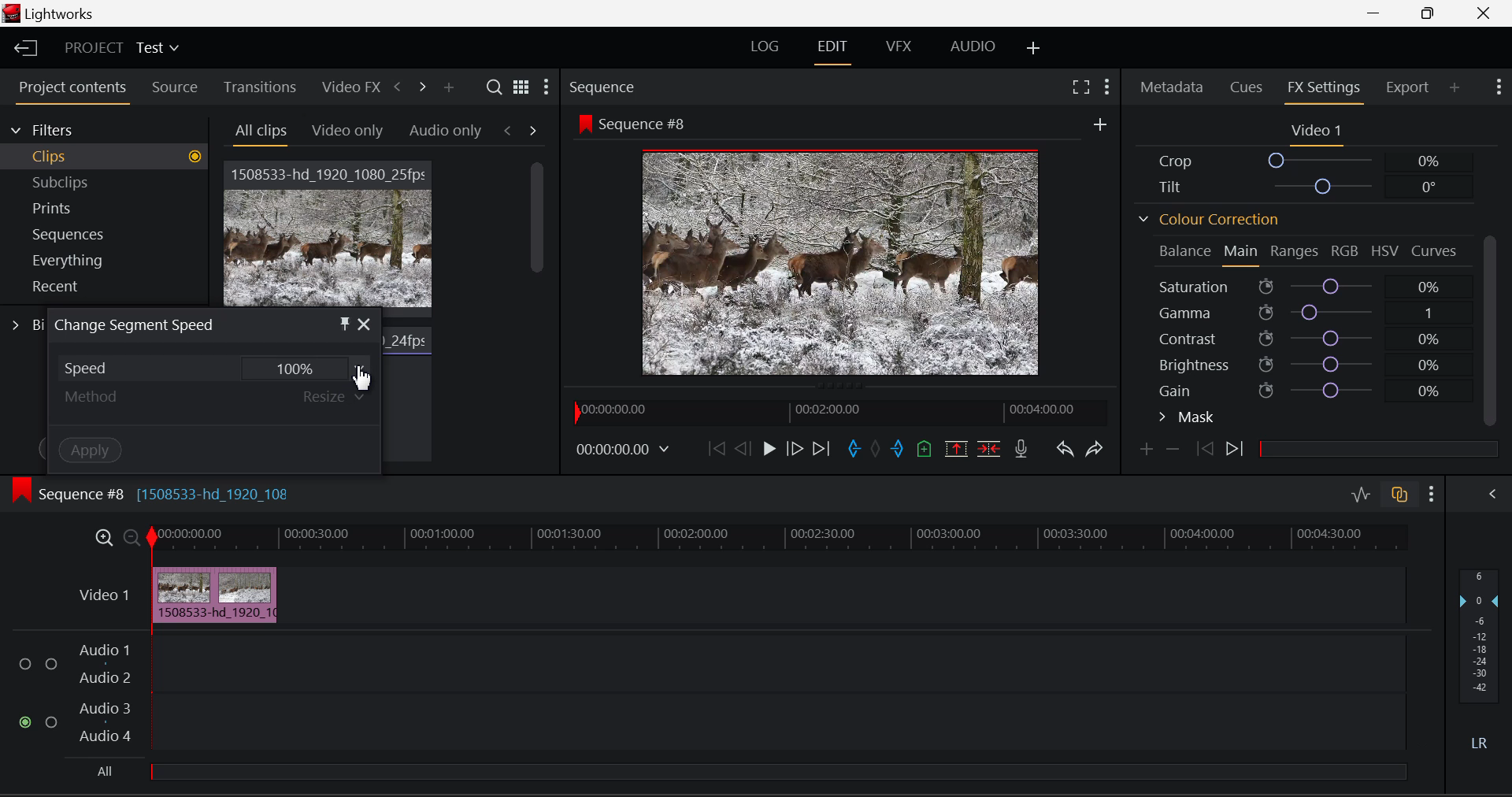  Describe the element at coordinates (102, 129) in the screenshot. I see `Filters Selection` at that location.